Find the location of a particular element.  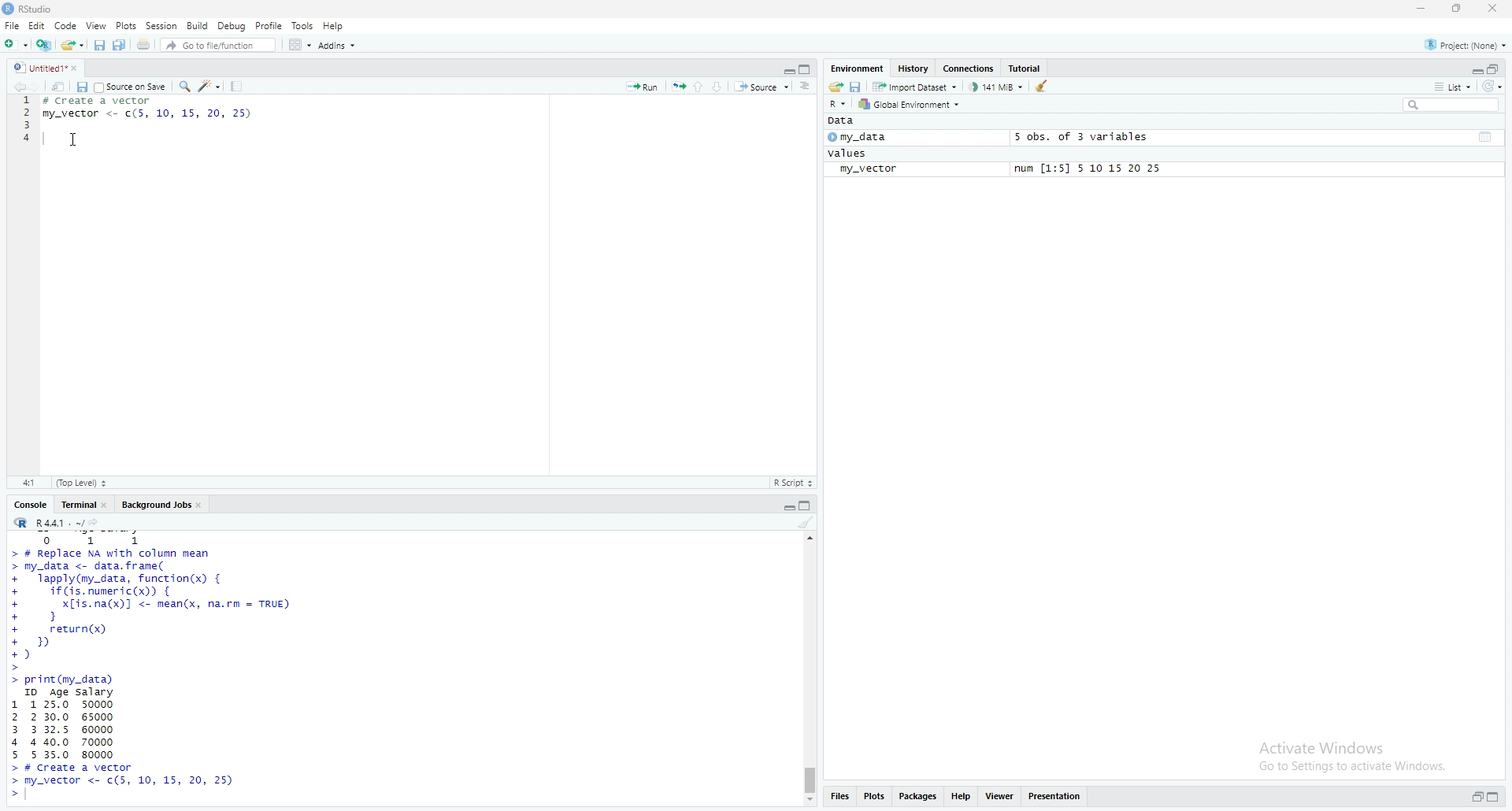

untitled1 is located at coordinates (48, 68).